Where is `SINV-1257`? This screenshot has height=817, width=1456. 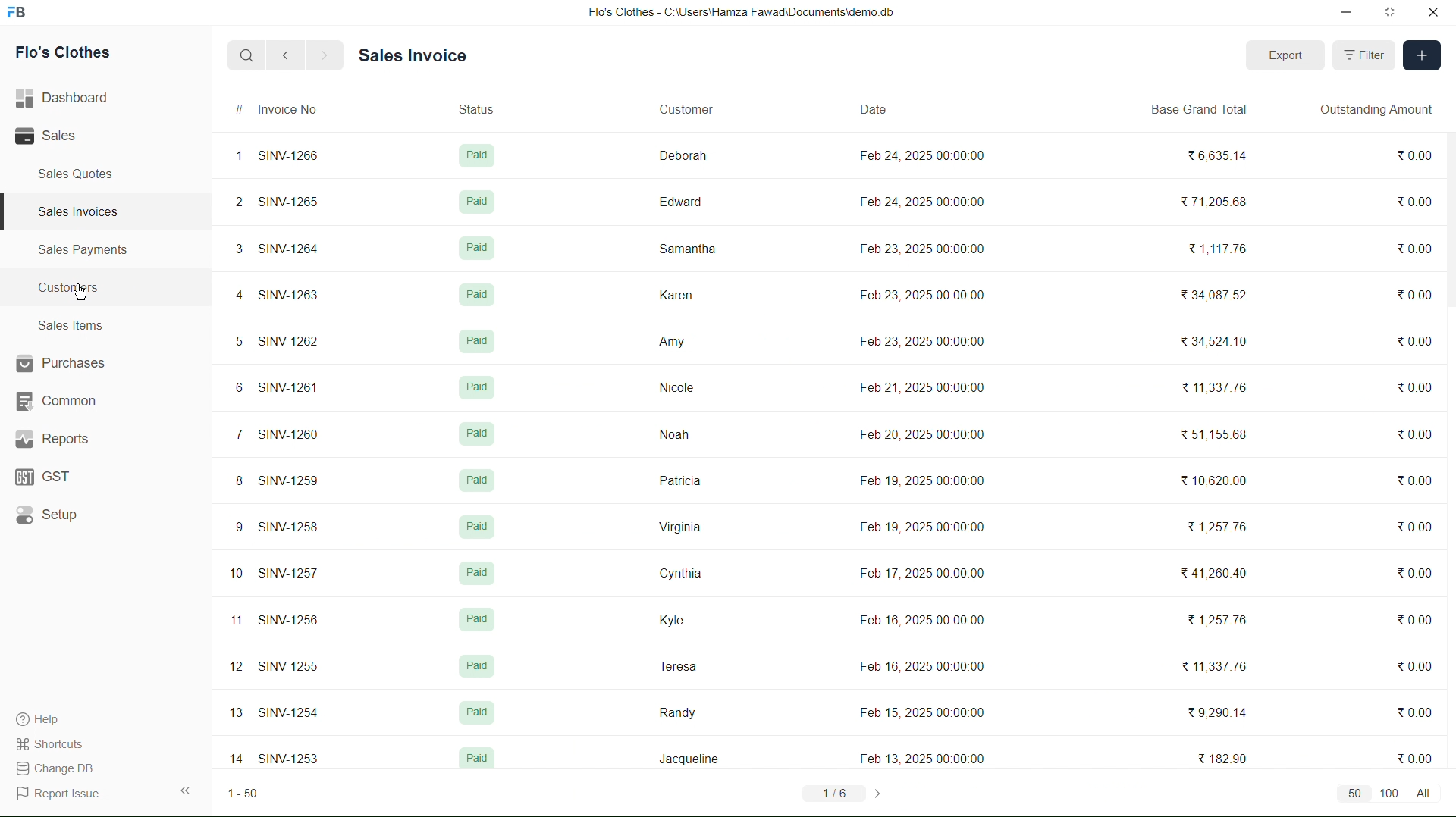
SINV-1257 is located at coordinates (293, 575).